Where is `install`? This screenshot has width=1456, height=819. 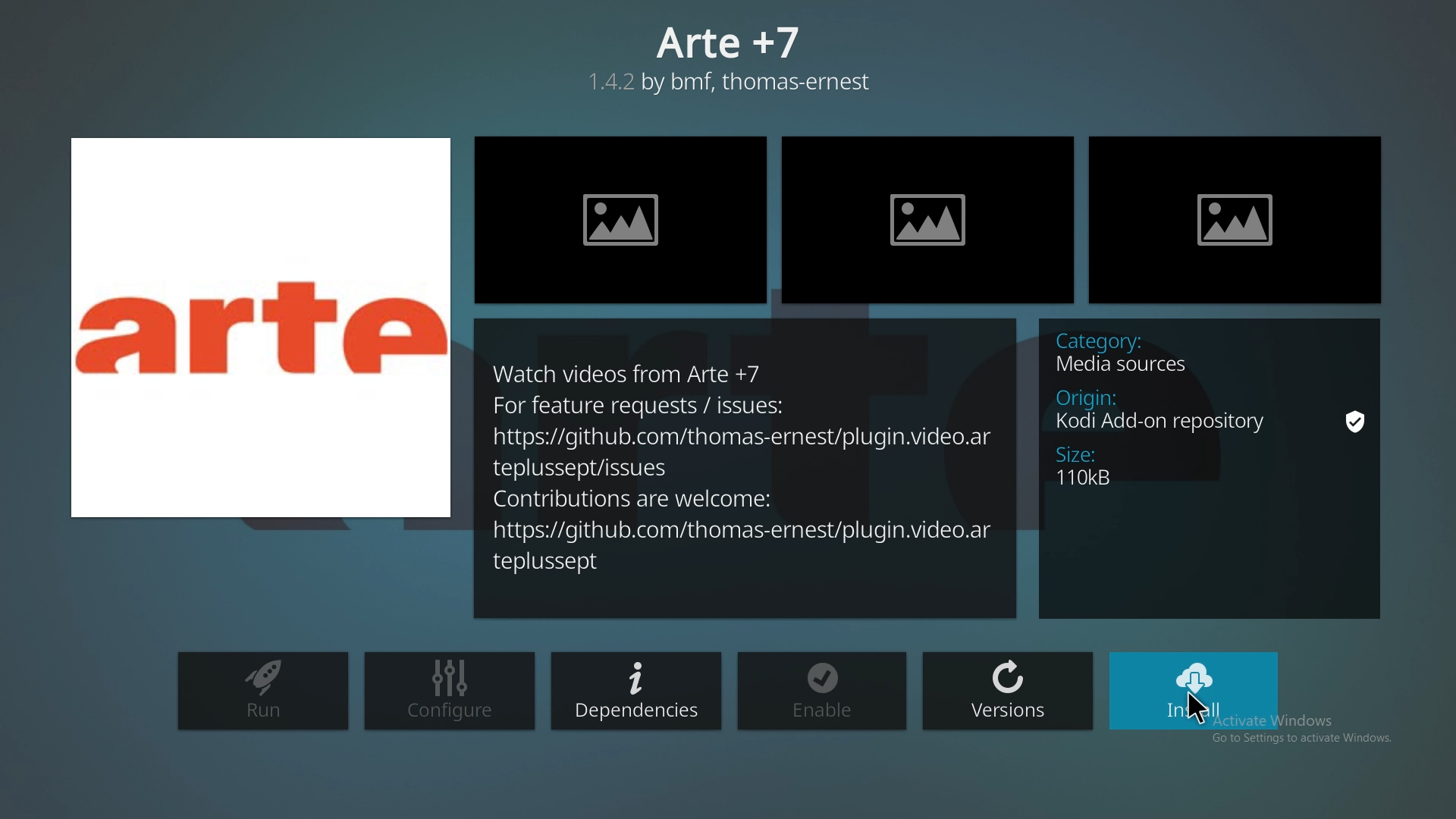 install is located at coordinates (1194, 691).